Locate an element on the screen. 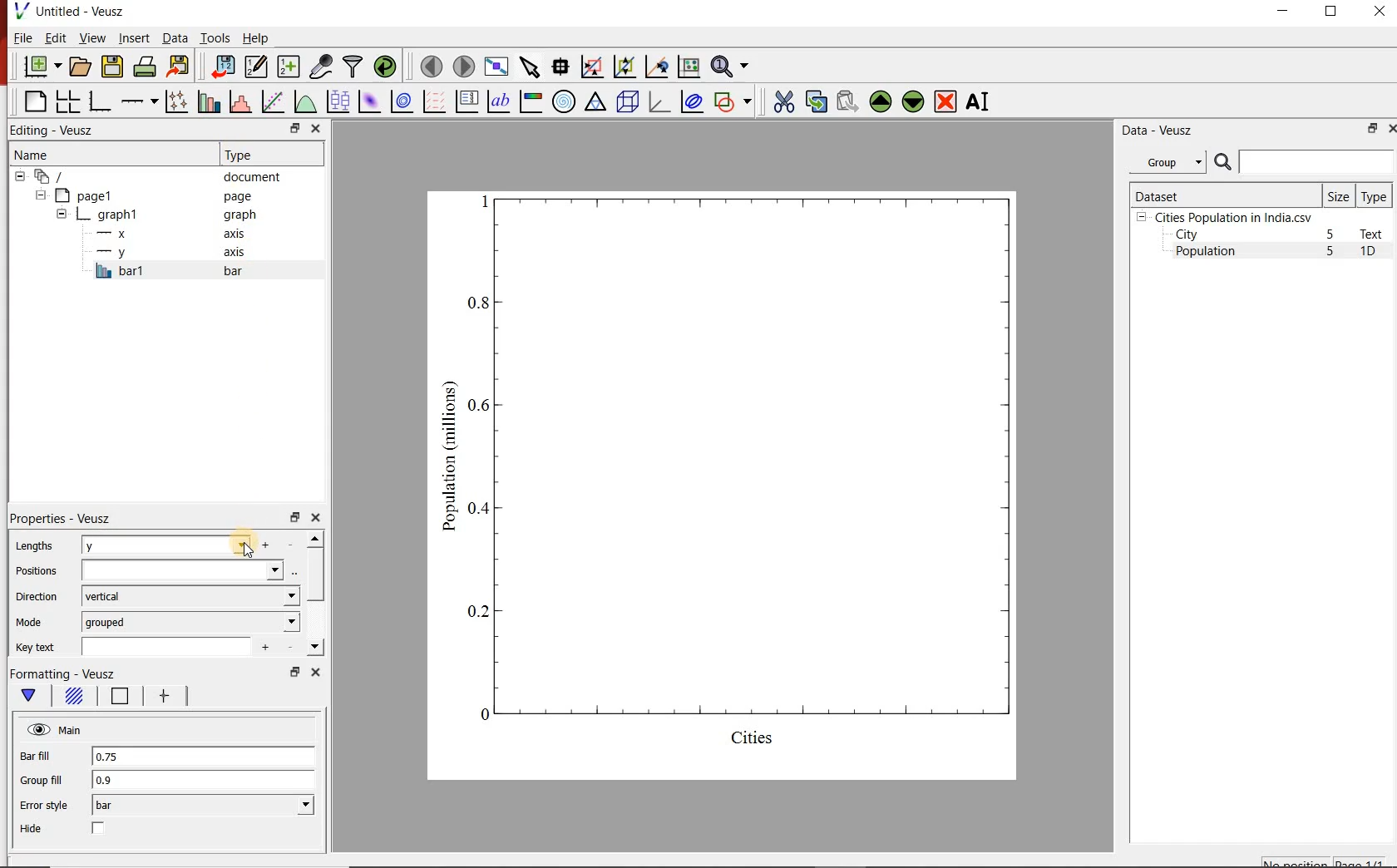 The image size is (1397, 868). View is located at coordinates (89, 37).